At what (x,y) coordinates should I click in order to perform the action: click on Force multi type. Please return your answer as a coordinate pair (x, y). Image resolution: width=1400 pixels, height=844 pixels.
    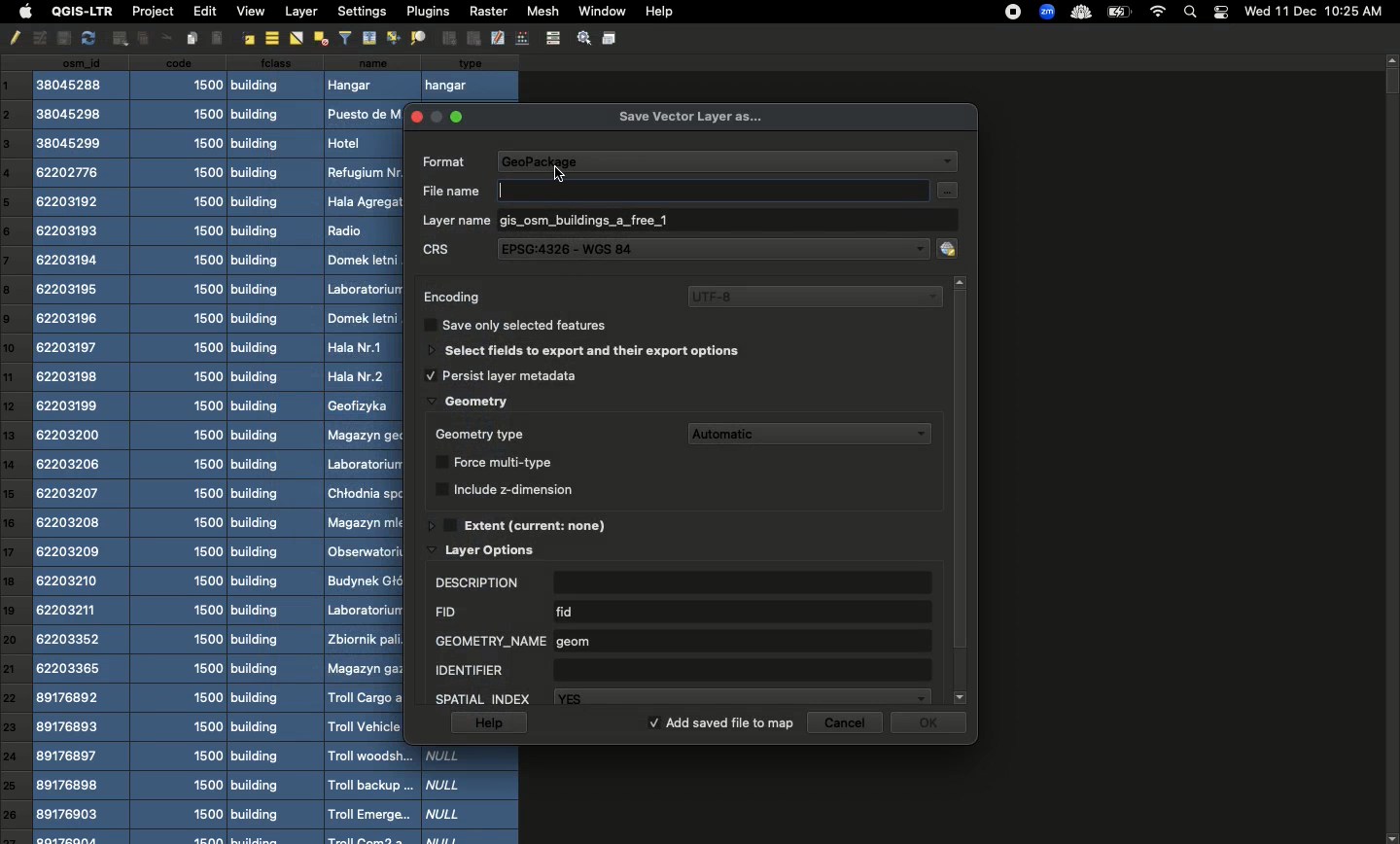
    Looking at the image, I should click on (506, 462).